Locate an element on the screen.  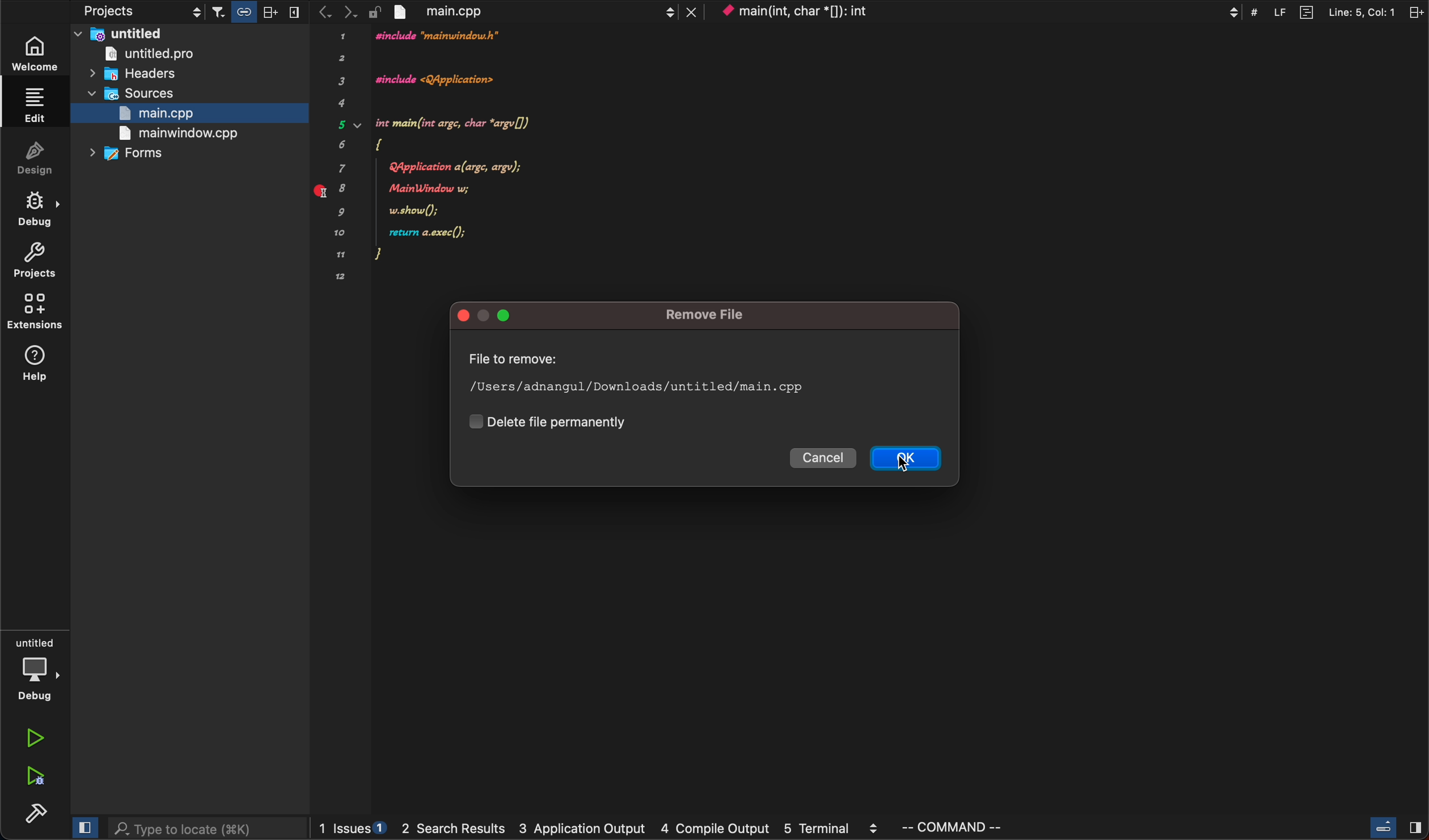
run is located at coordinates (33, 740).